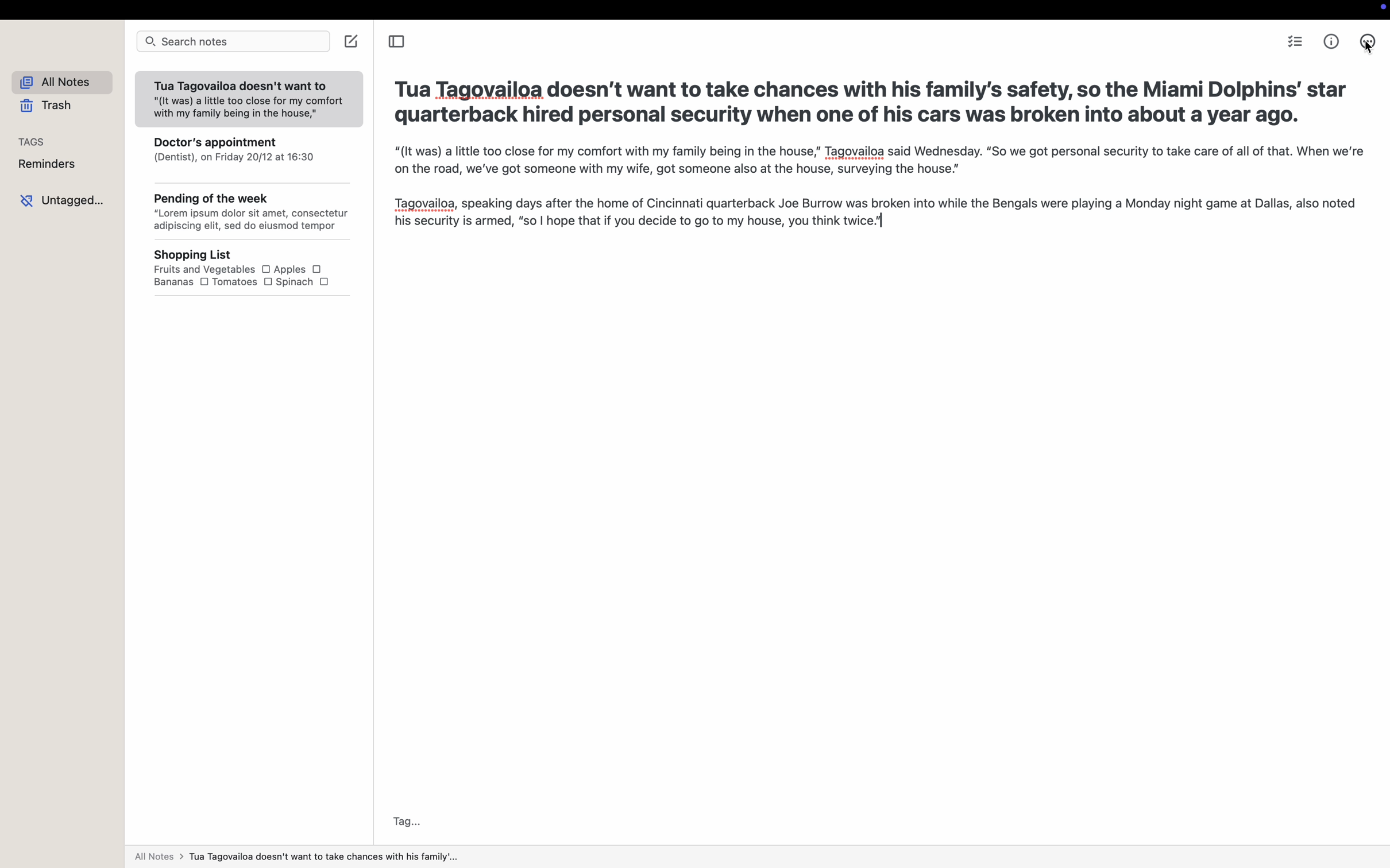 The width and height of the screenshot is (1390, 868). What do you see at coordinates (869, 104) in the screenshot?
I see `Tua Tagovailoa doesn’t want to take chances with his family's safety, so the Miami Dolphins’ star
quarterback hired personal security when one of his cars was broken into about a year ago.` at bounding box center [869, 104].